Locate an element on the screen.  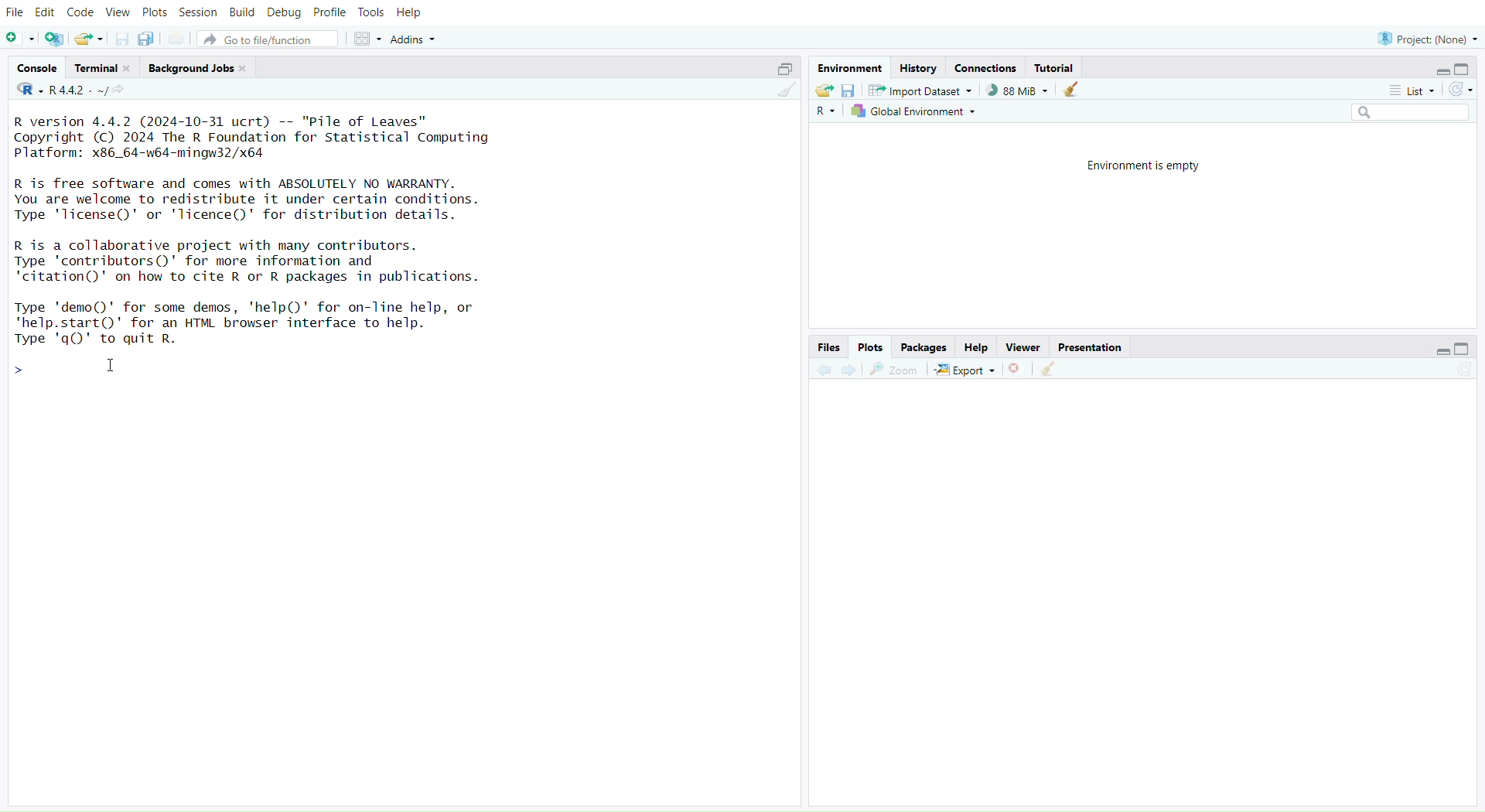
load workspace is located at coordinates (824, 91).